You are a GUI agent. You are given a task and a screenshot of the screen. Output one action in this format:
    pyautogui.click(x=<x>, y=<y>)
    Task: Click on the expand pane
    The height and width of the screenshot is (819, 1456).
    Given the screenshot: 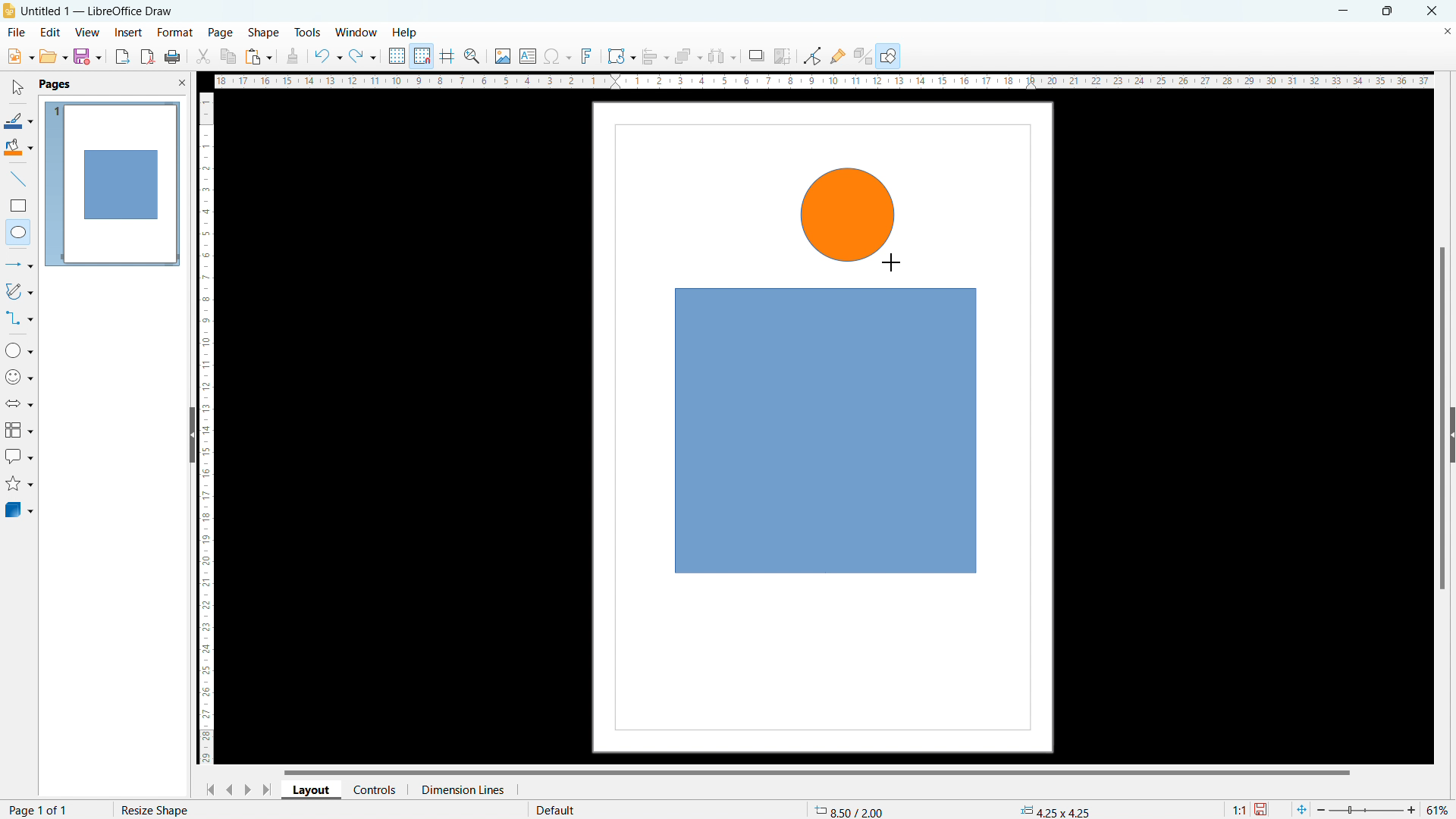 What is the action you would take?
    pyautogui.click(x=1451, y=435)
    